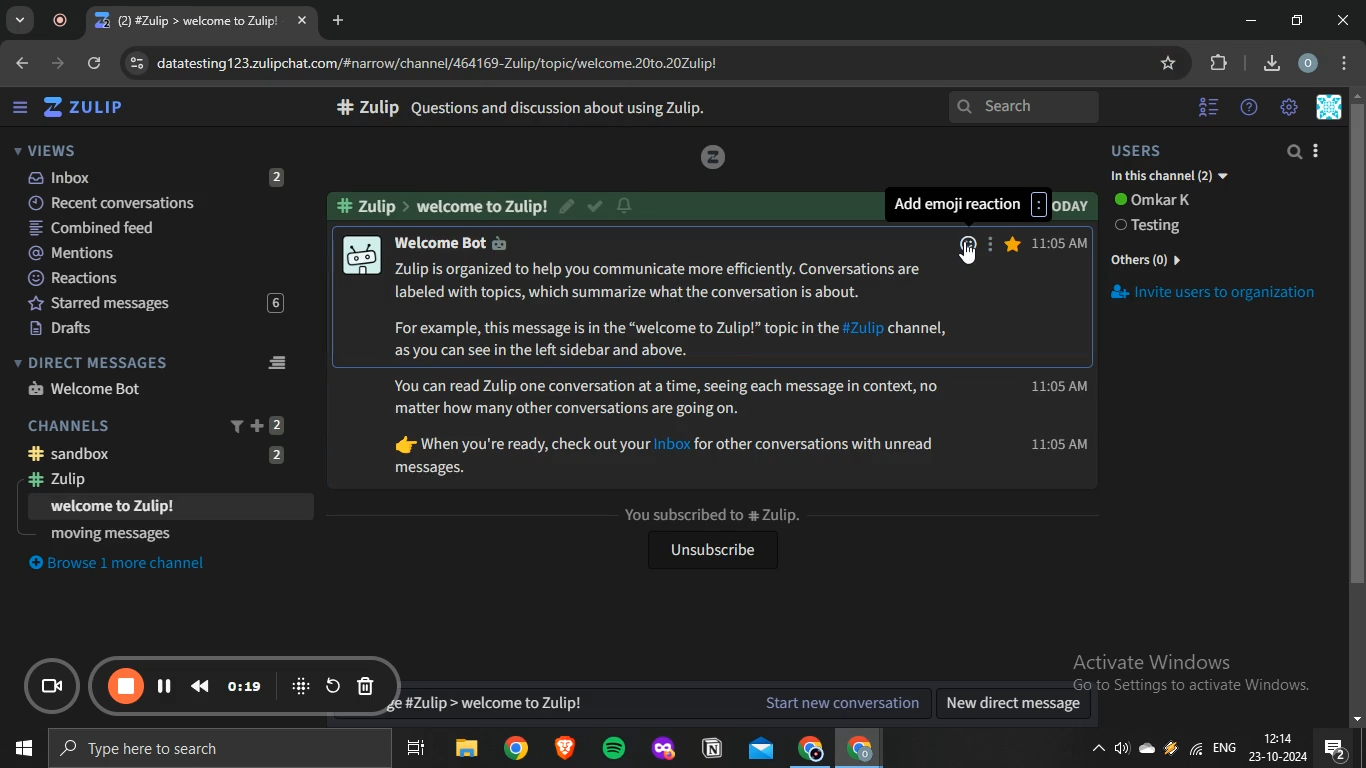 The height and width of the screenshot is (768, 1366). I want to click on notifications, so click(1335, 749).